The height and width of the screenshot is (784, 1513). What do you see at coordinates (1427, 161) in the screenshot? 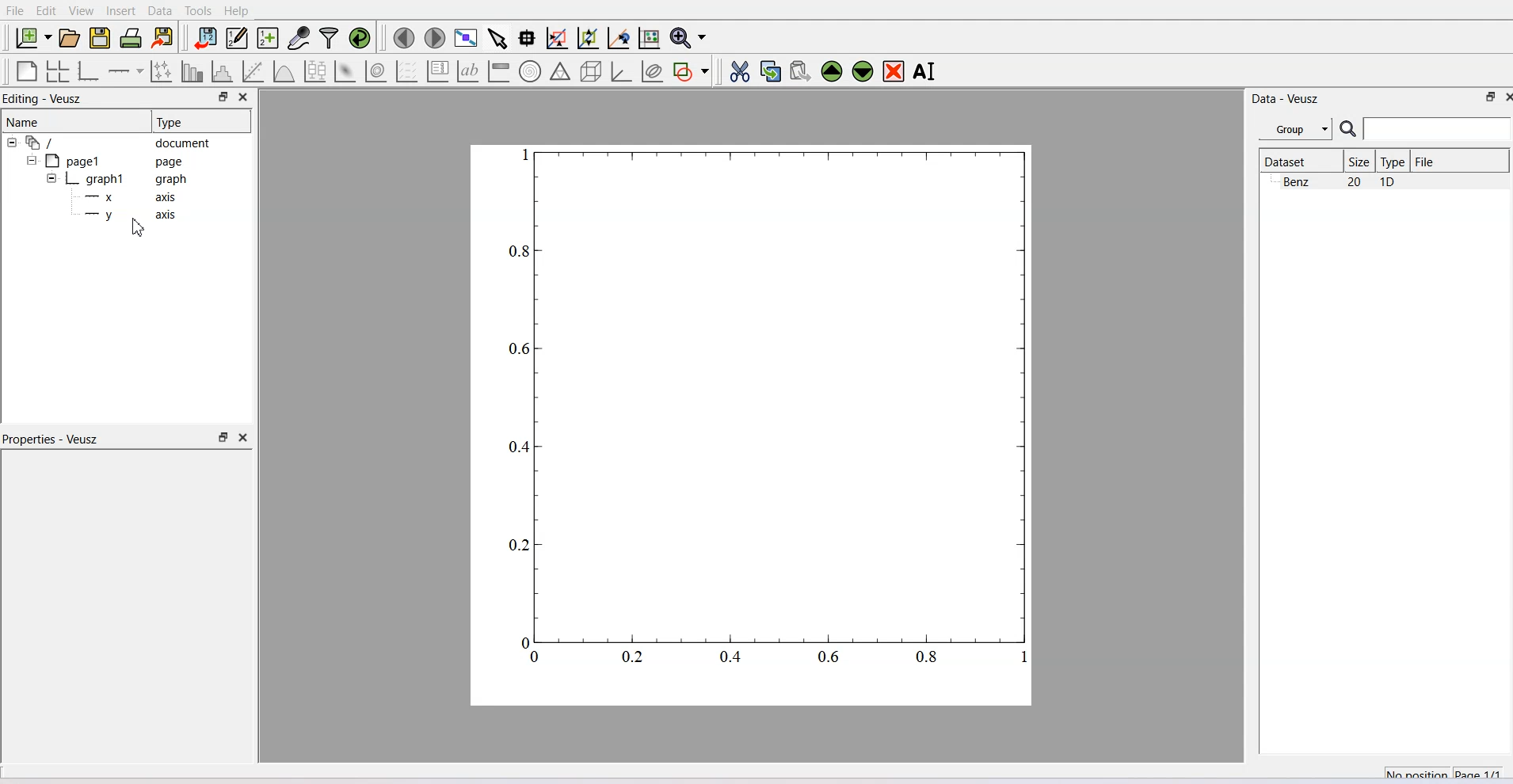
I see `File` at bounding box center [1427, 161].